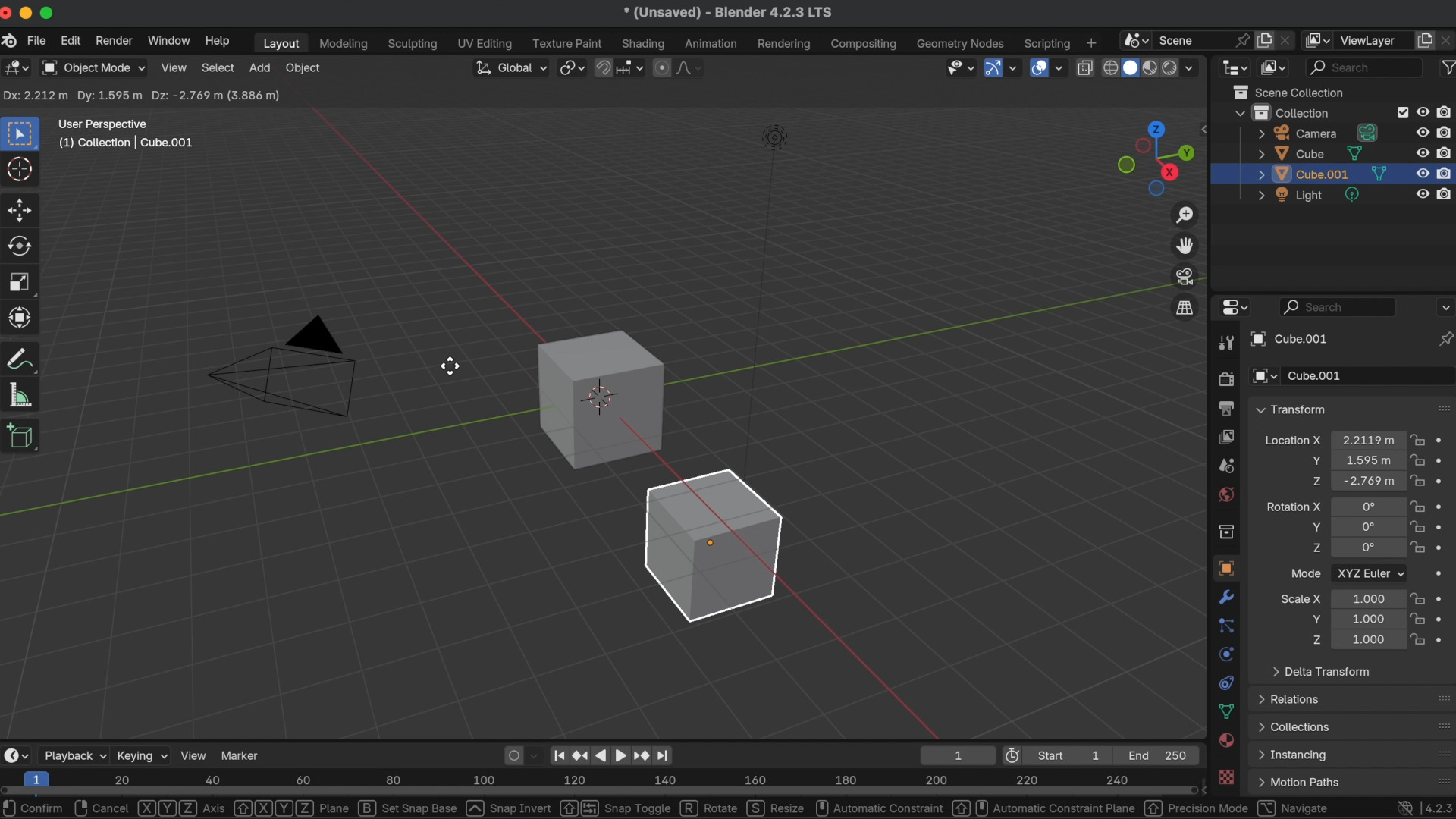 Image resolution: width=1456 pixels, height=819 pixels. What do you see at coordinates (1366, 640) in the screenshot?
I see `scale location` at bounding box center [1366, 640].